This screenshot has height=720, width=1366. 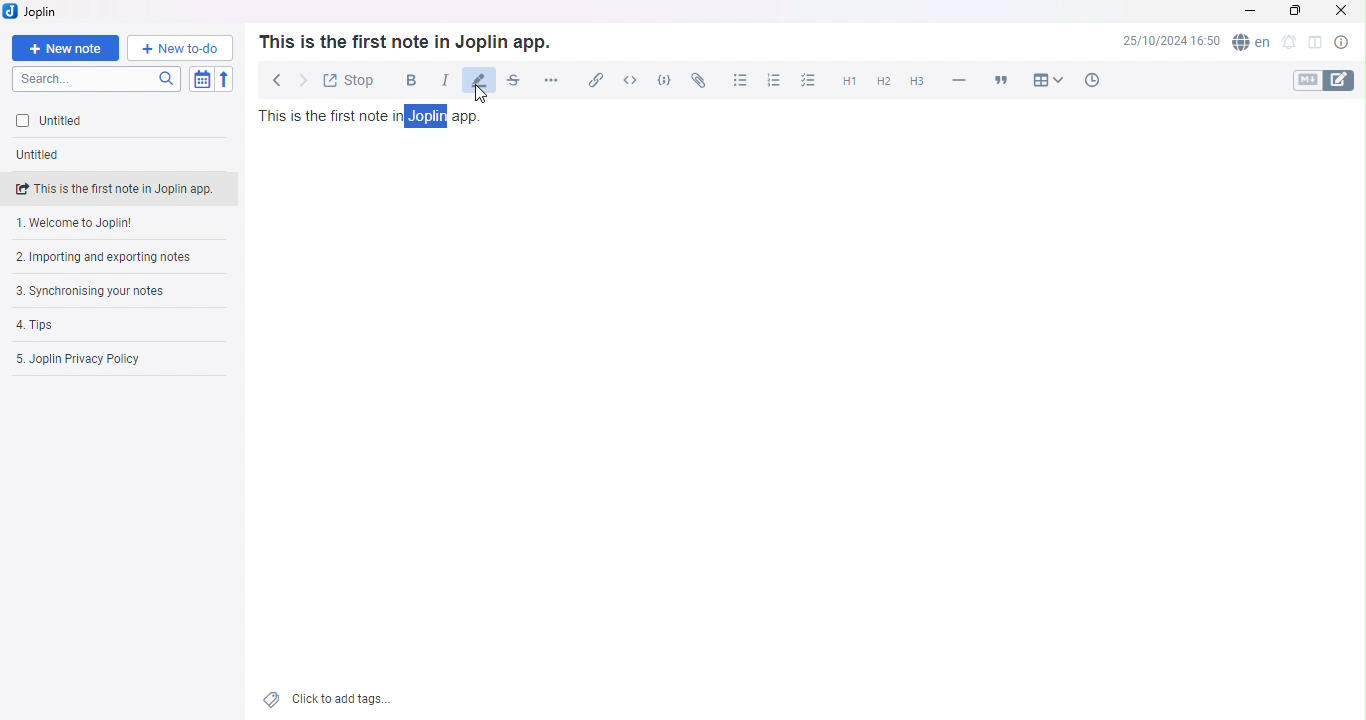 What do you see at coordinates (67, 47) in the screenshot?
I see `New note` at bounding box center [67, 47].